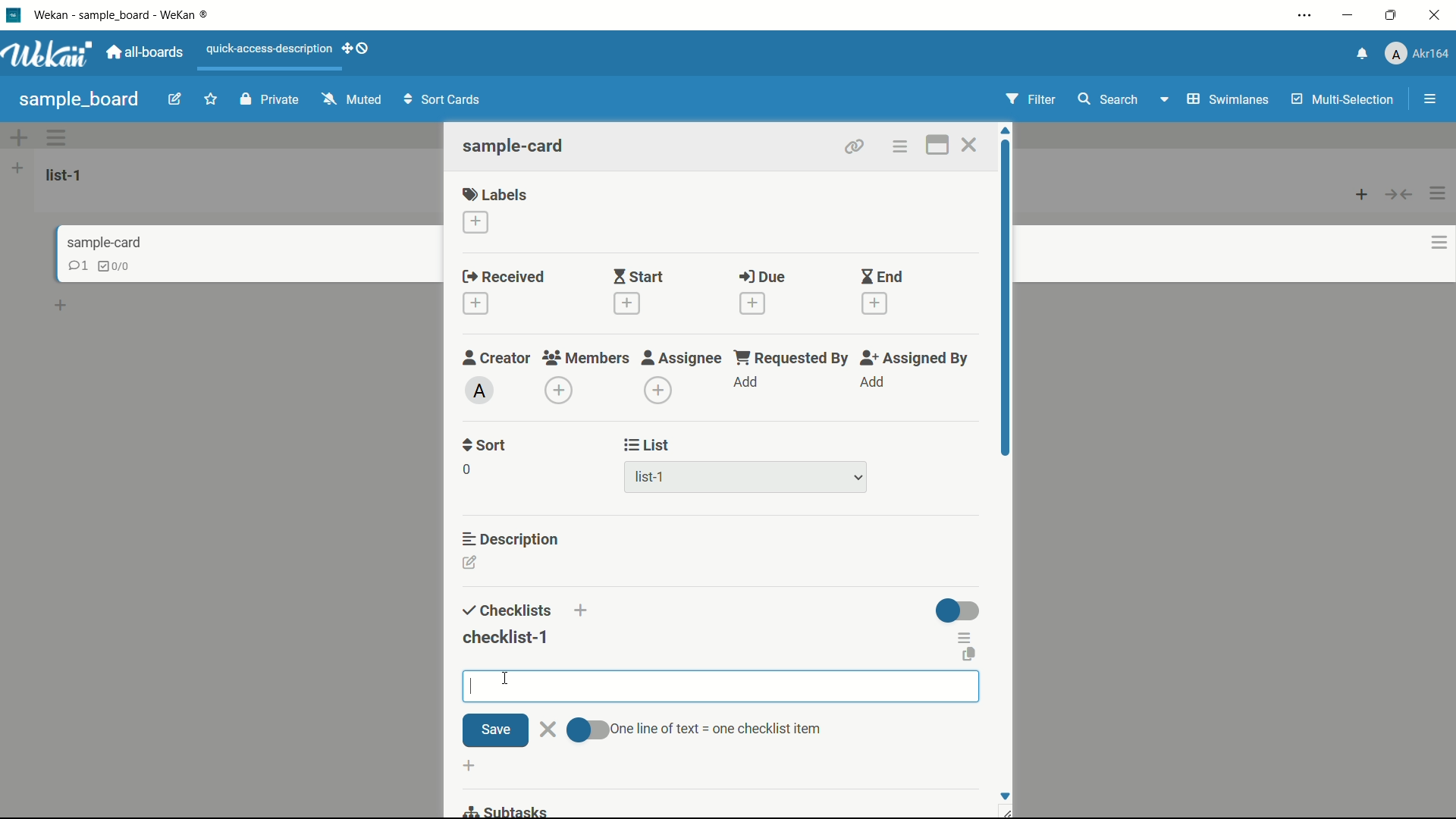  What do you see at coordinates (588, 359) in the screenshot?
I see `members` at bounding box center [588, 359].